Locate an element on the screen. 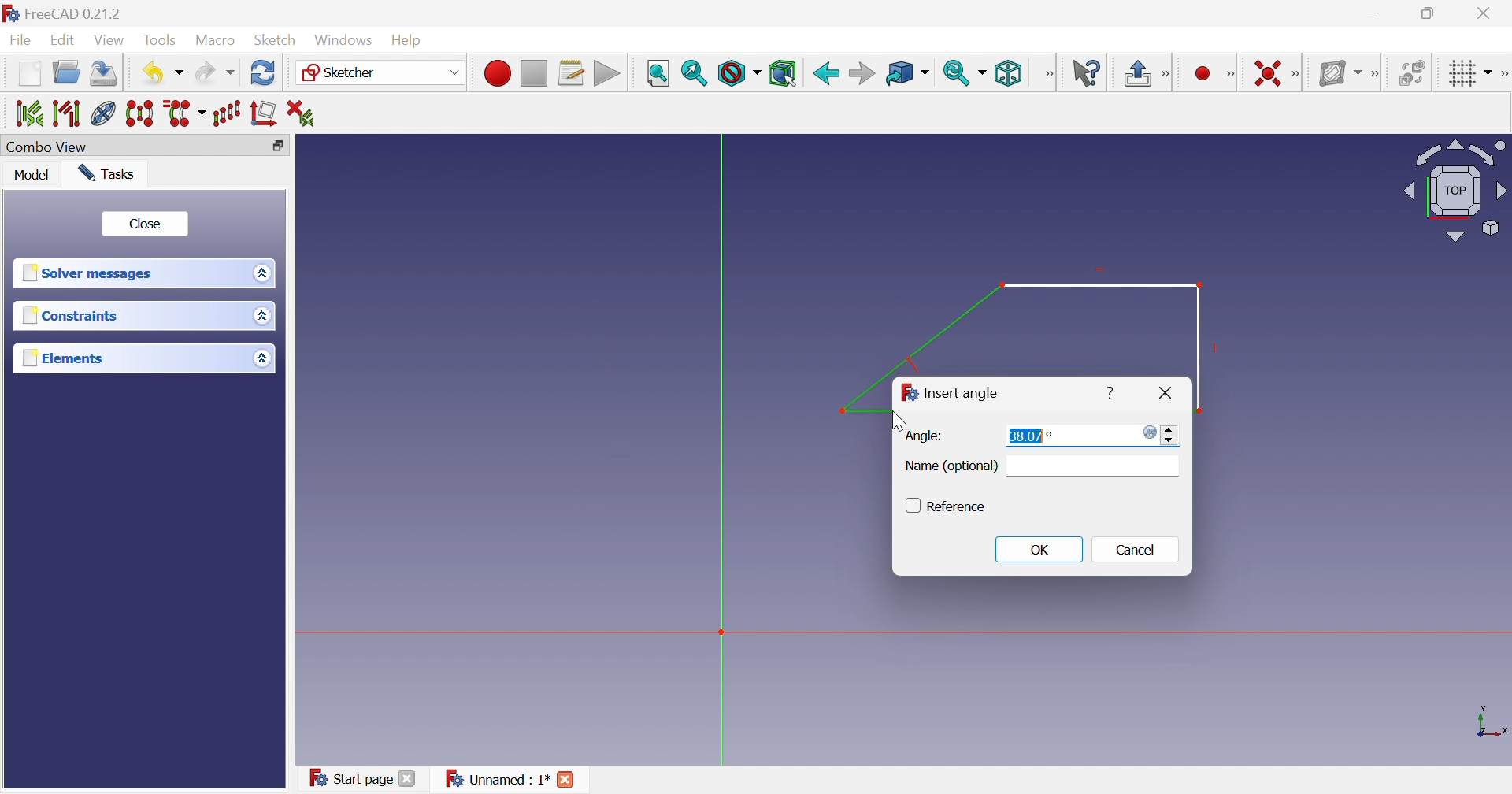 The image size is (1512, 794). Toggle grid is located at coordinates (1458, 73).